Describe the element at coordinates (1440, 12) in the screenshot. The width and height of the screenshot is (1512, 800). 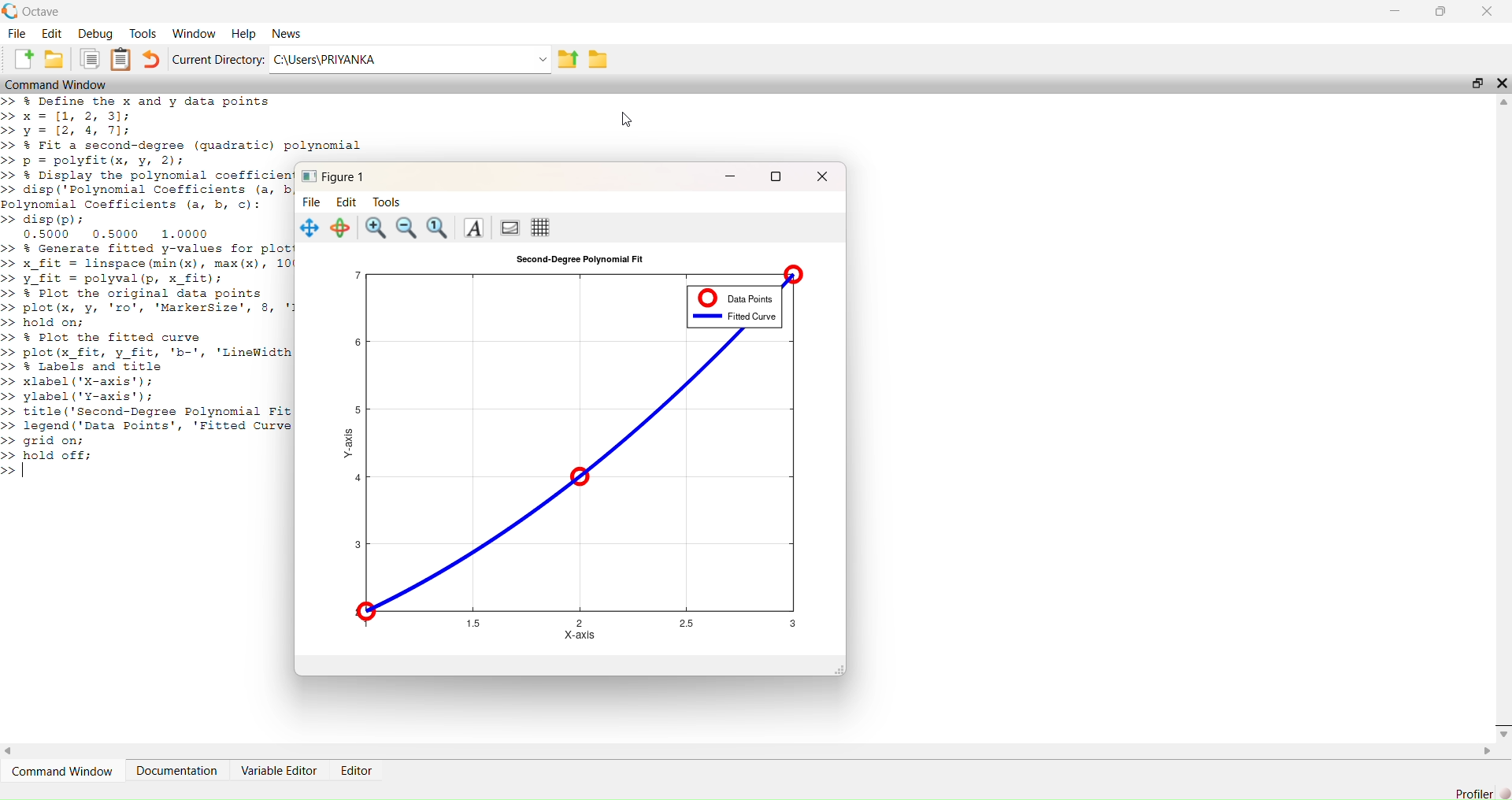
I see `Maximize / Restore` at that location.